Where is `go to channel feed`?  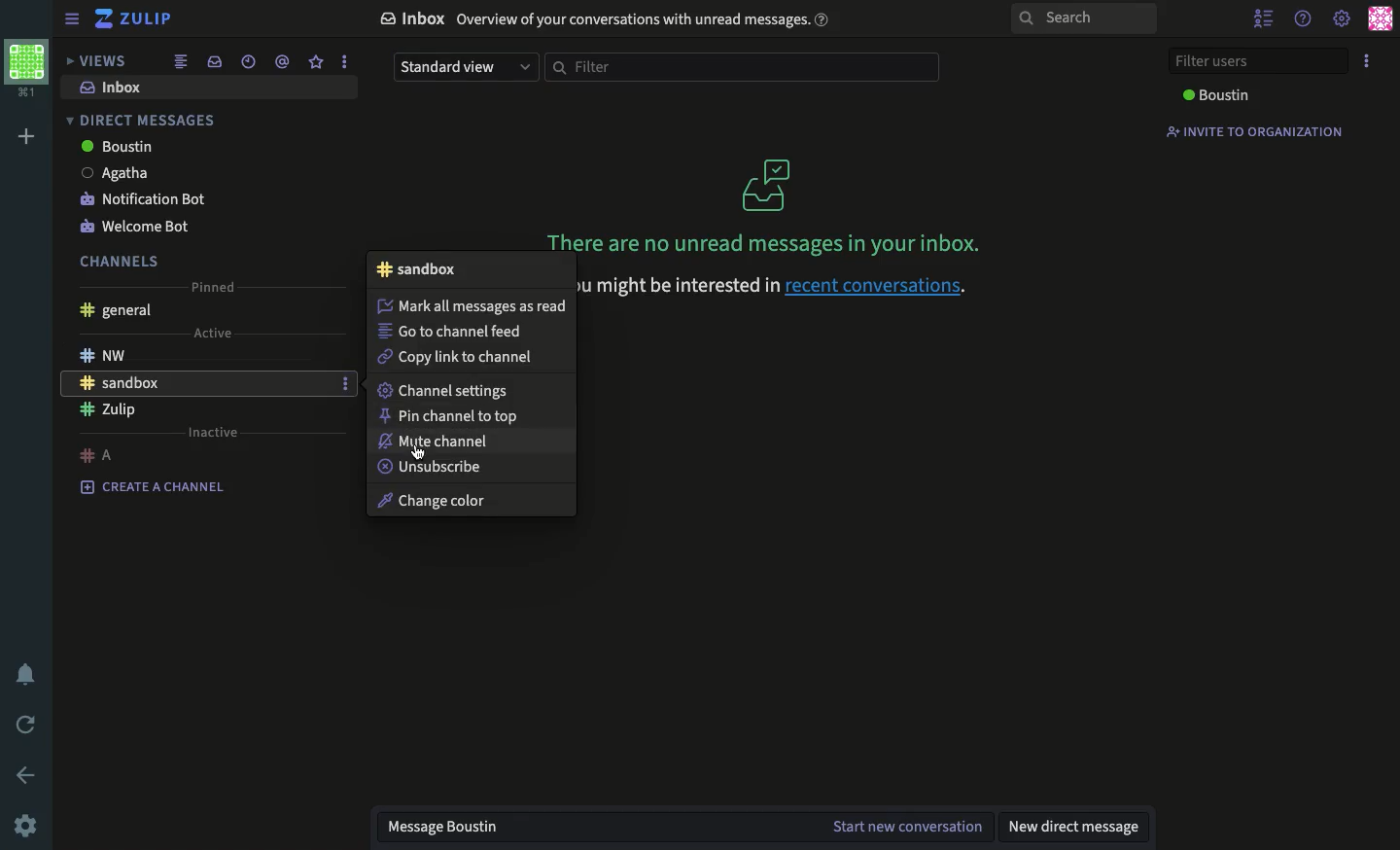
go to channel feed is located at coordinates (453, 332).